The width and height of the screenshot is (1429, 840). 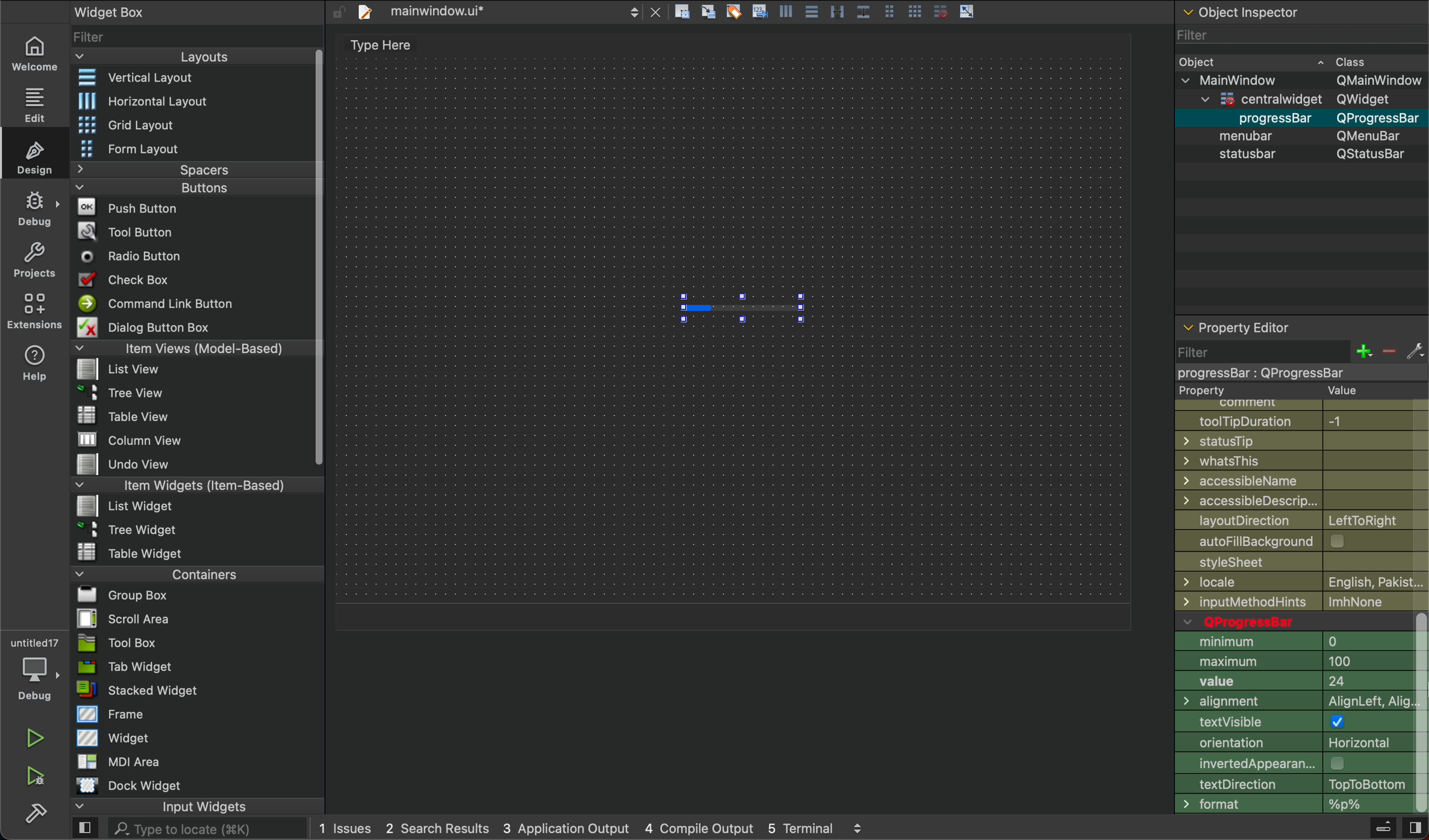 What do you see at coordinates (36, 811) in the screenshot?
I see `build` at bounding box center [36, 811].